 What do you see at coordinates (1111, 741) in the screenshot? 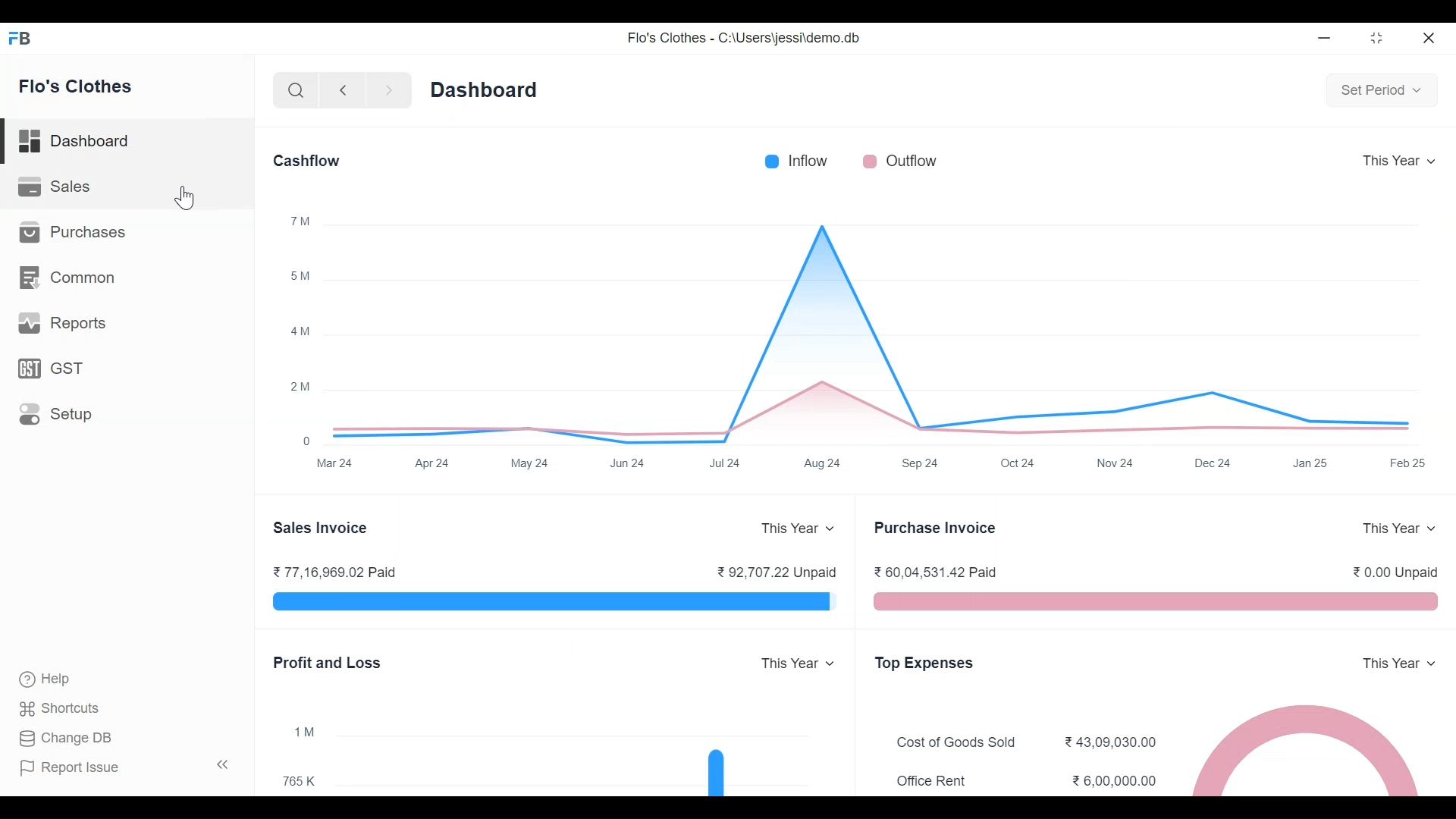
I see `43,09,030.00` at bounding box center [1111, 741].